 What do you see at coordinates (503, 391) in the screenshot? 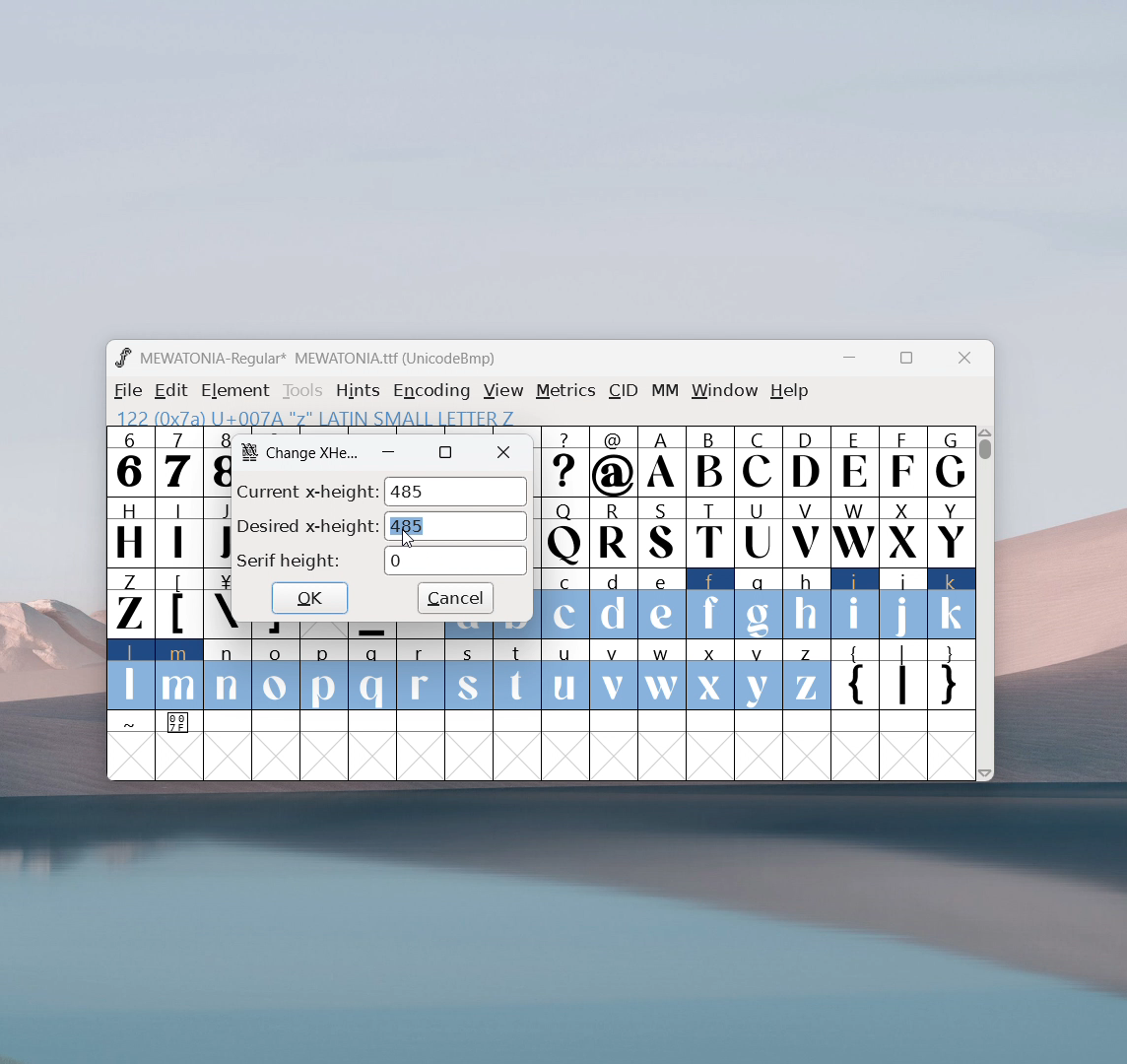
I see `view` at bounding box center [503, 391].